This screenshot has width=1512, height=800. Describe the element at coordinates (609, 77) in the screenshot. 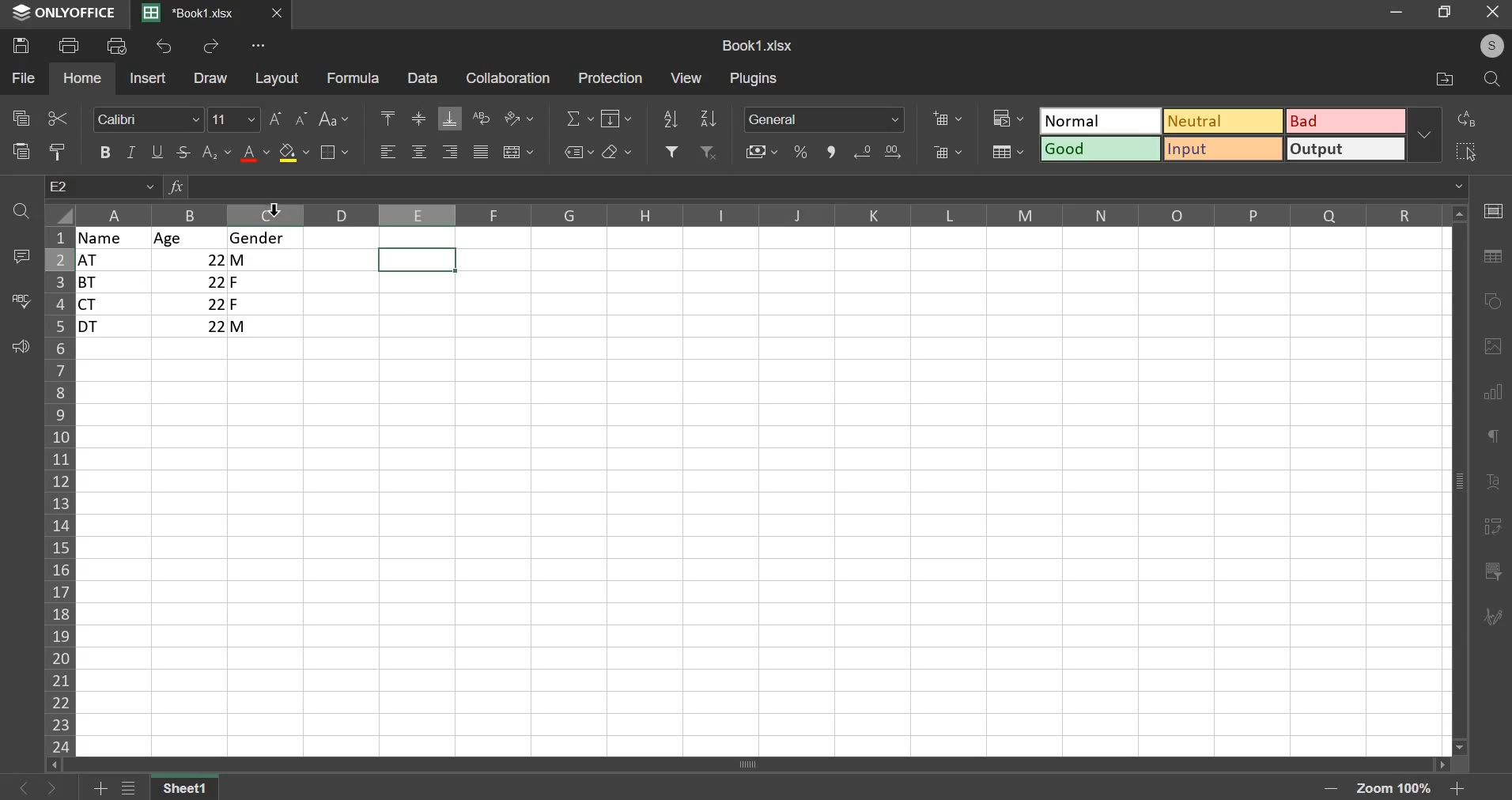

I see `protection` at that location.